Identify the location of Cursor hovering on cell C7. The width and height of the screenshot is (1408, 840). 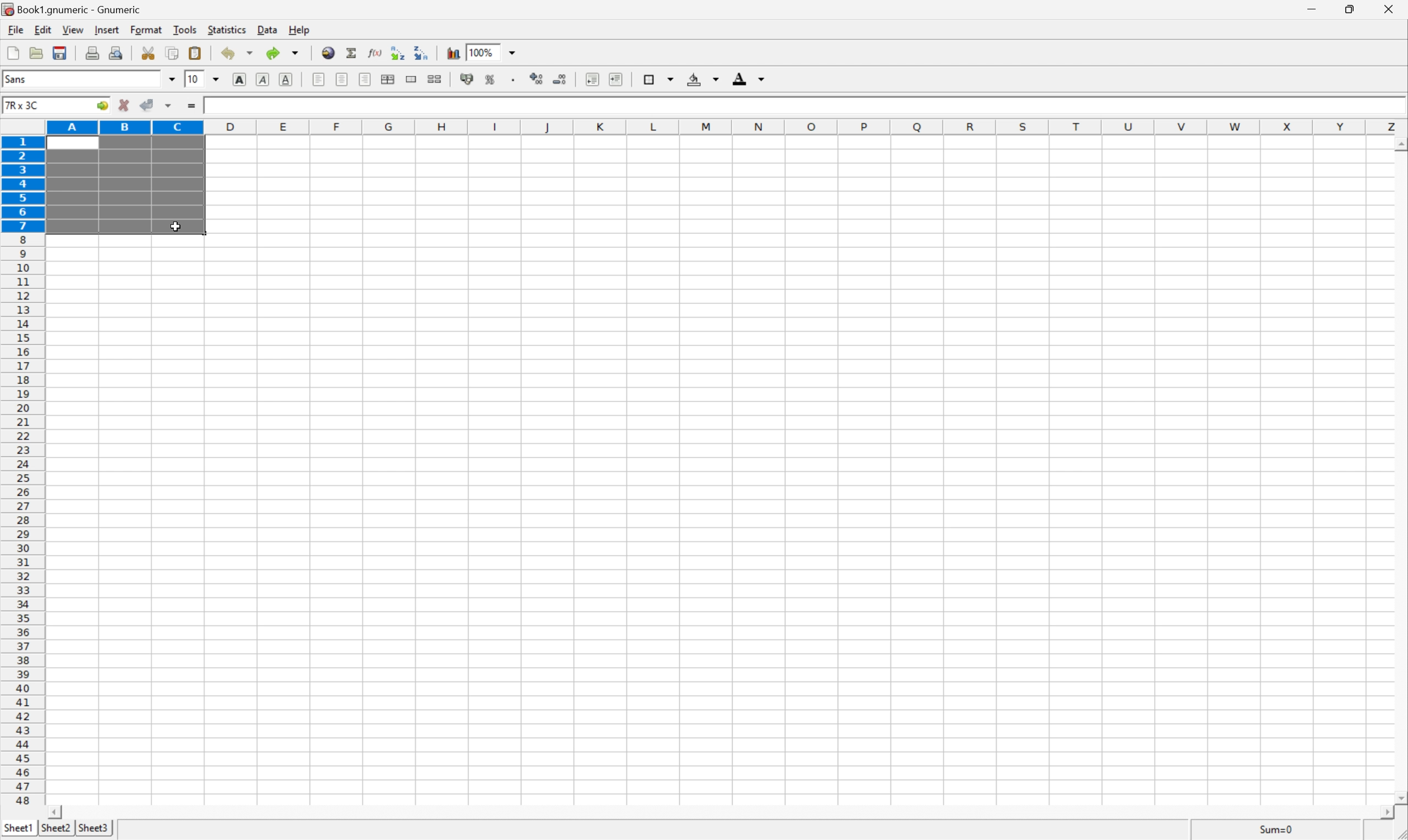
(176, 226).